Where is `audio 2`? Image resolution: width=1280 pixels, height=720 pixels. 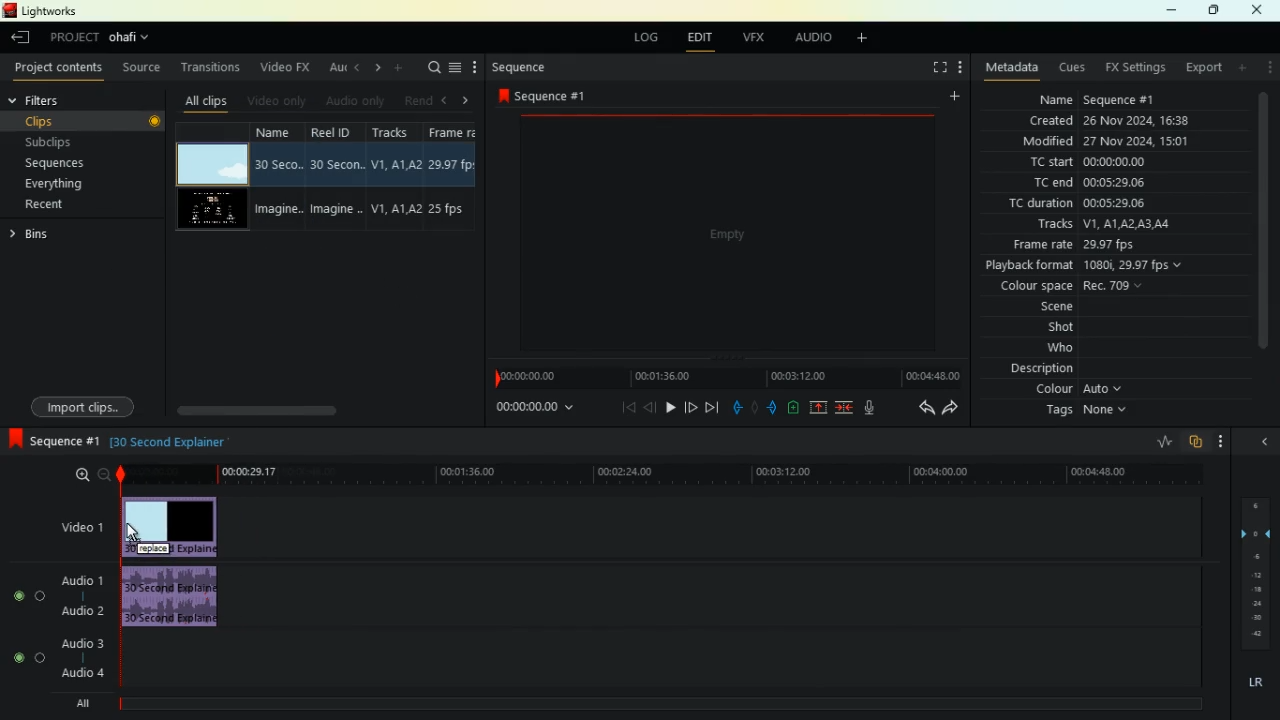 audio 2 is located at coordinates (81, 615).